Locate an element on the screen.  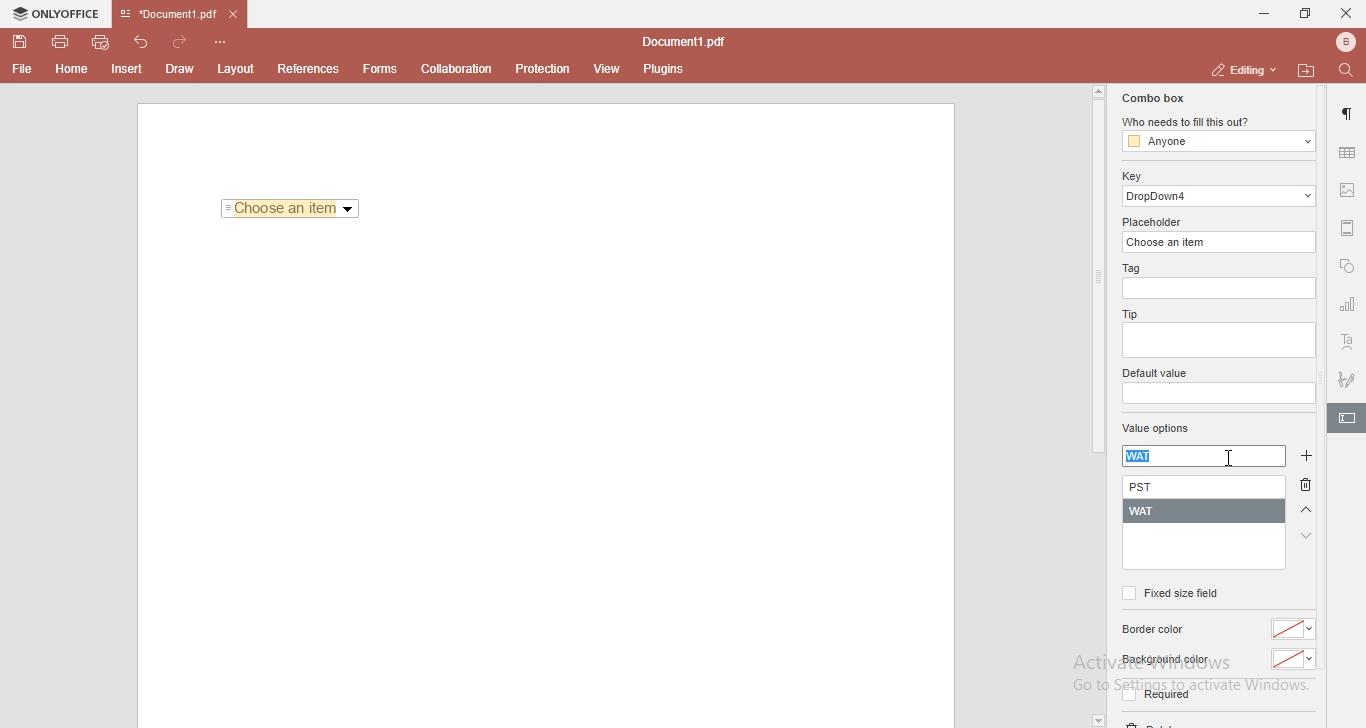
key is located at coordinates (1131, 176).